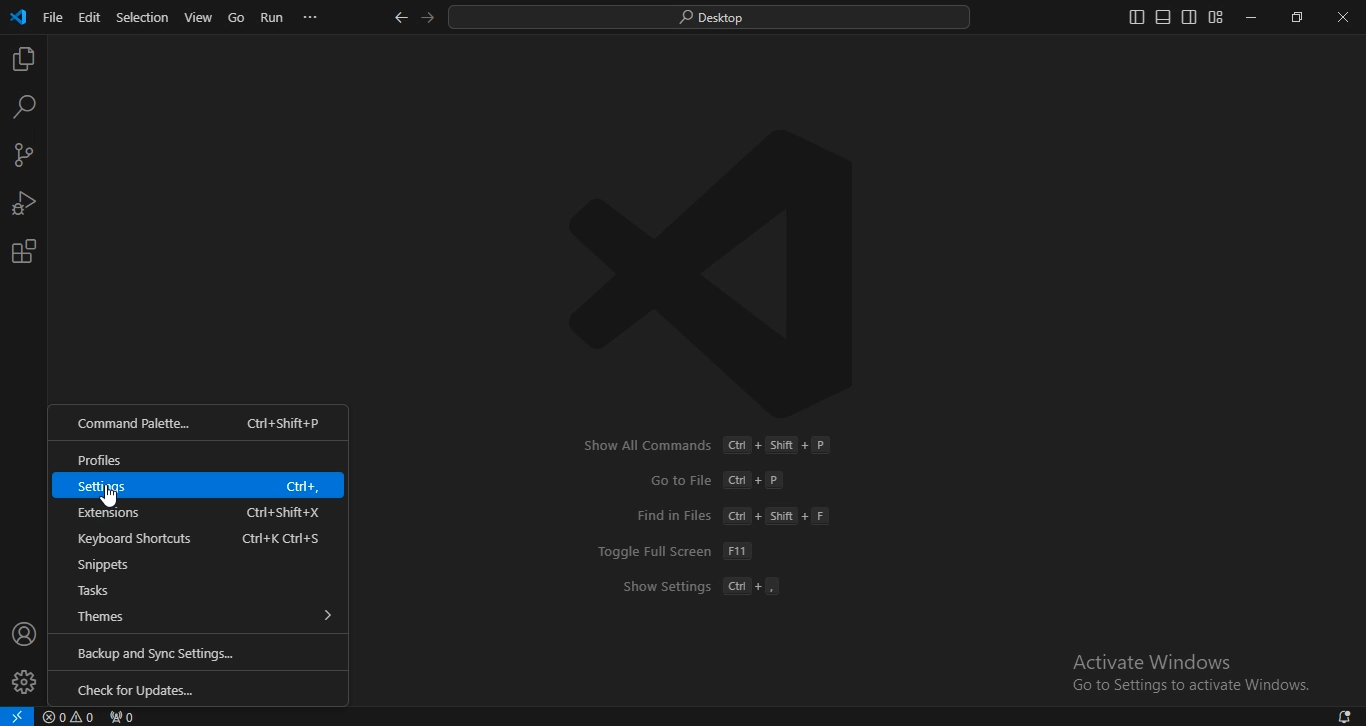 The image size is (1366, 726). Describe the element at coordinates (24, 157) in the screenshot. I see `source control` at that location.